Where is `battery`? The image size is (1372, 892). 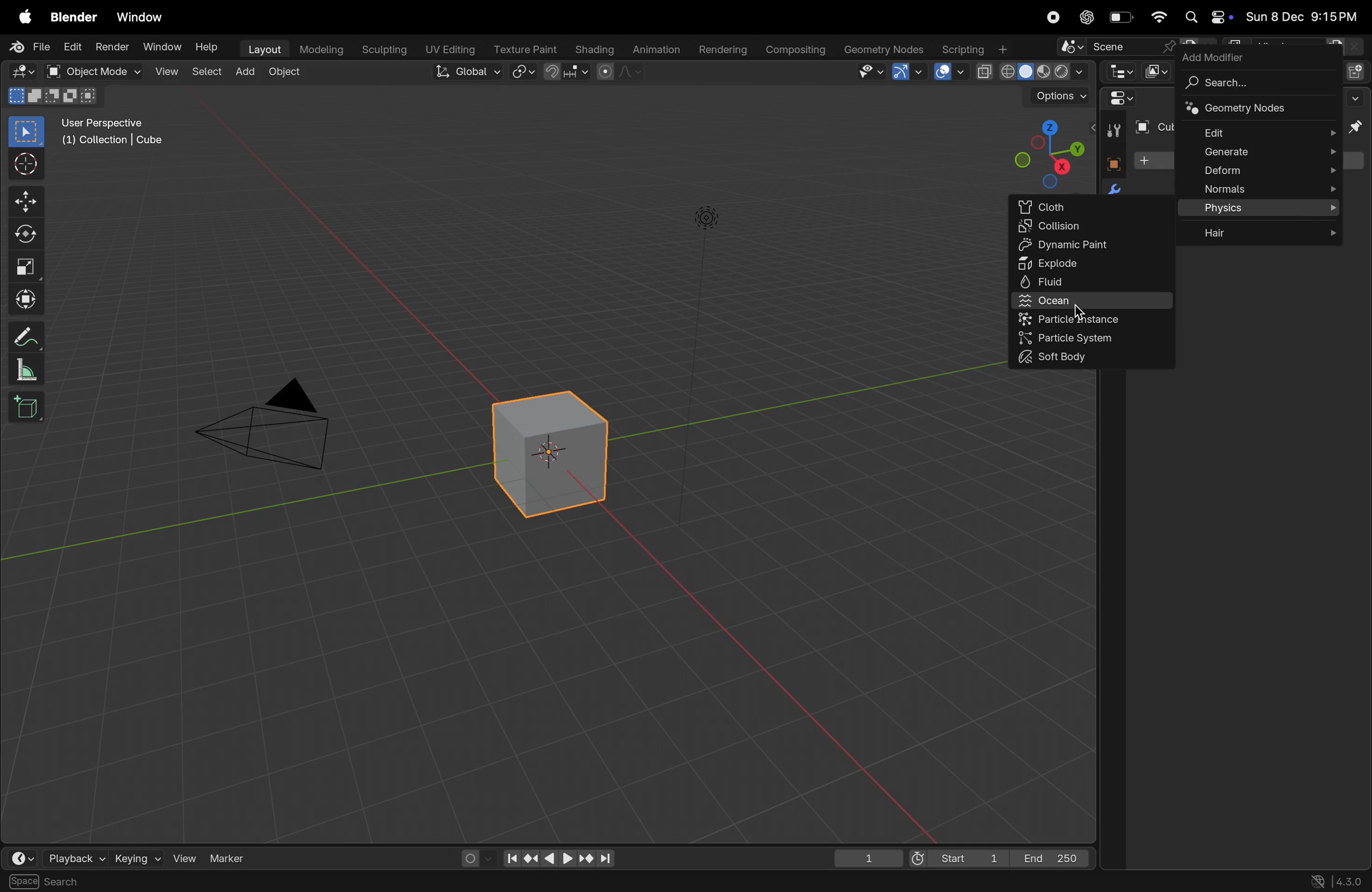 battery is located at coordinates (1122, 20).